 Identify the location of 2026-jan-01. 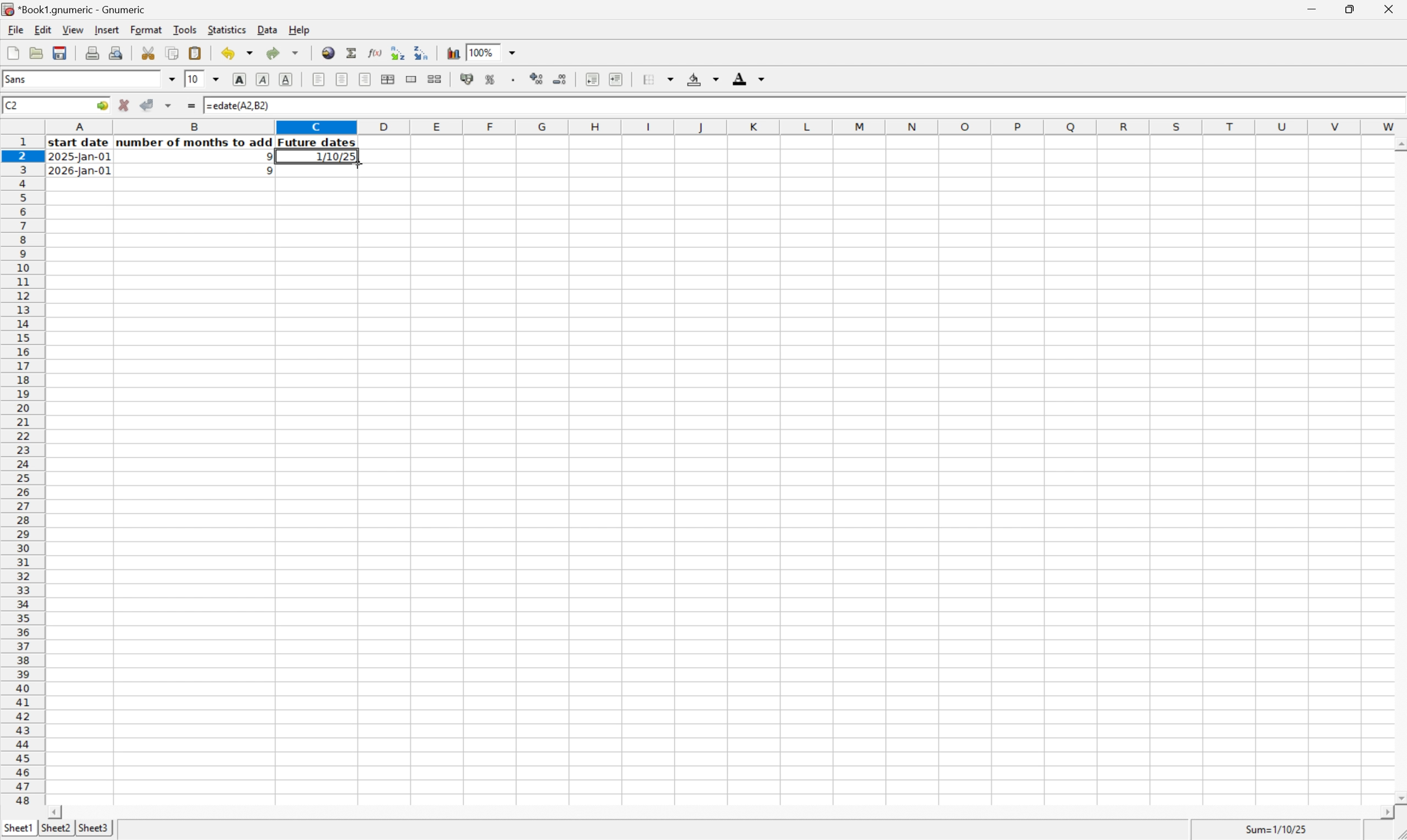
(79, 172).